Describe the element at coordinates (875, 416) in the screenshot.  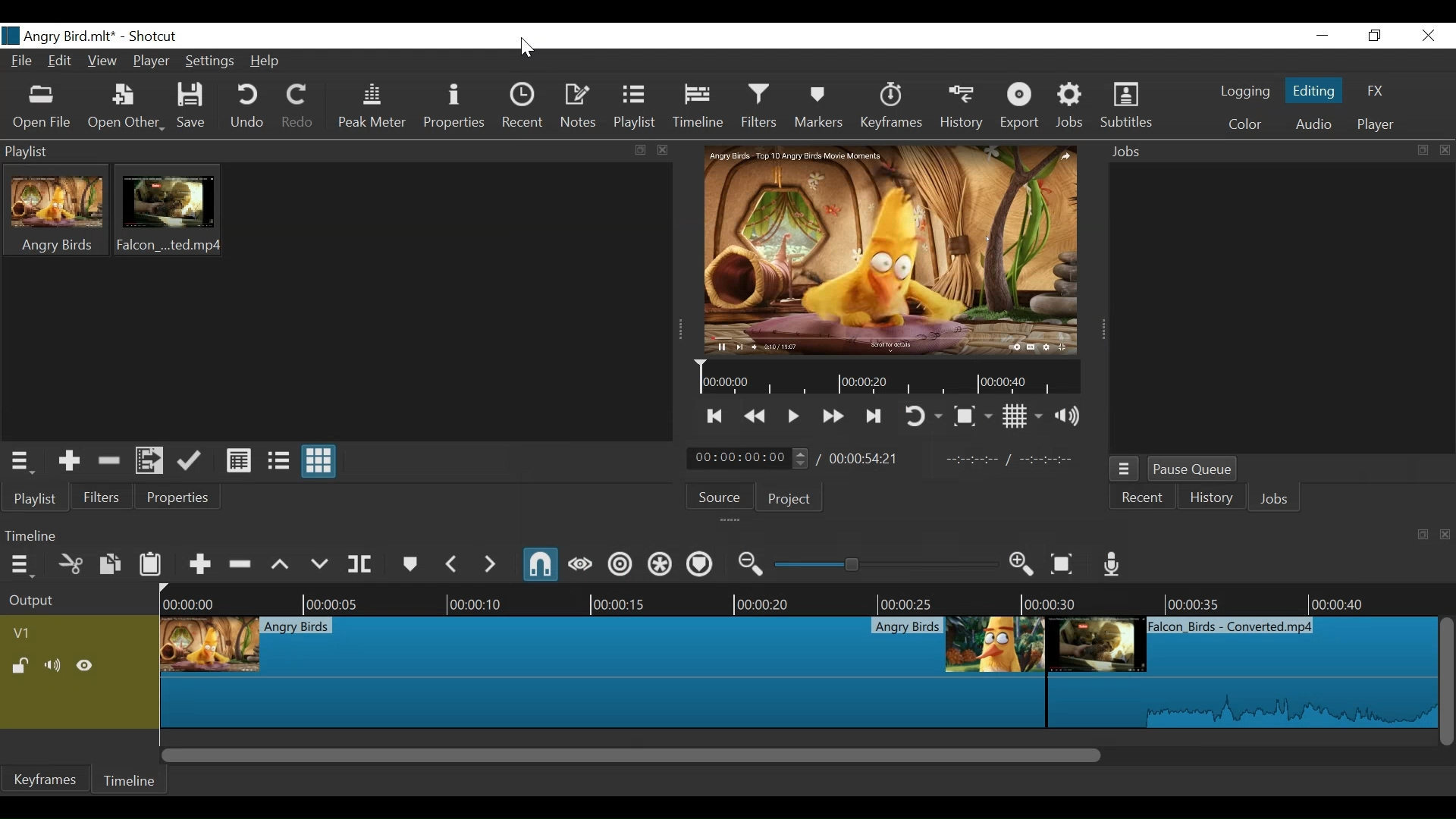
I see `Skip to the next point` at that location.